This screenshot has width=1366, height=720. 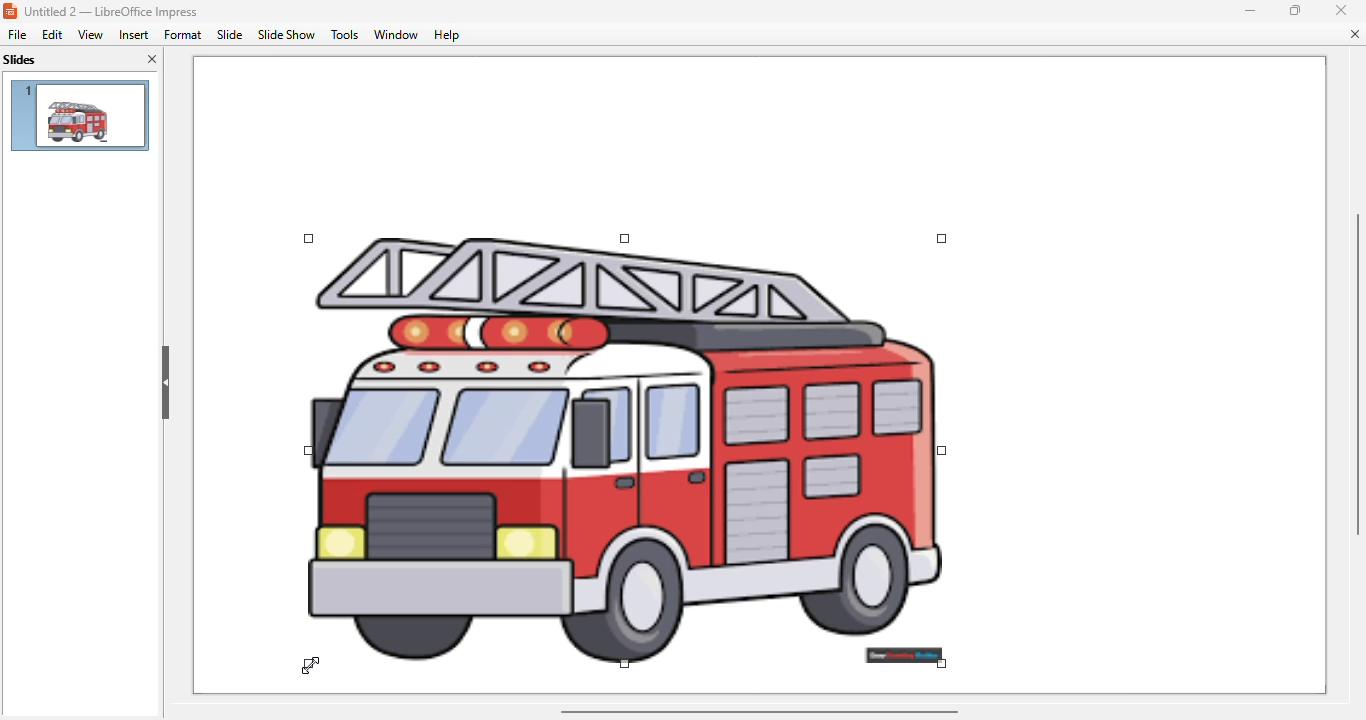 I want to click on corner handles, so click(x=310, y=240).